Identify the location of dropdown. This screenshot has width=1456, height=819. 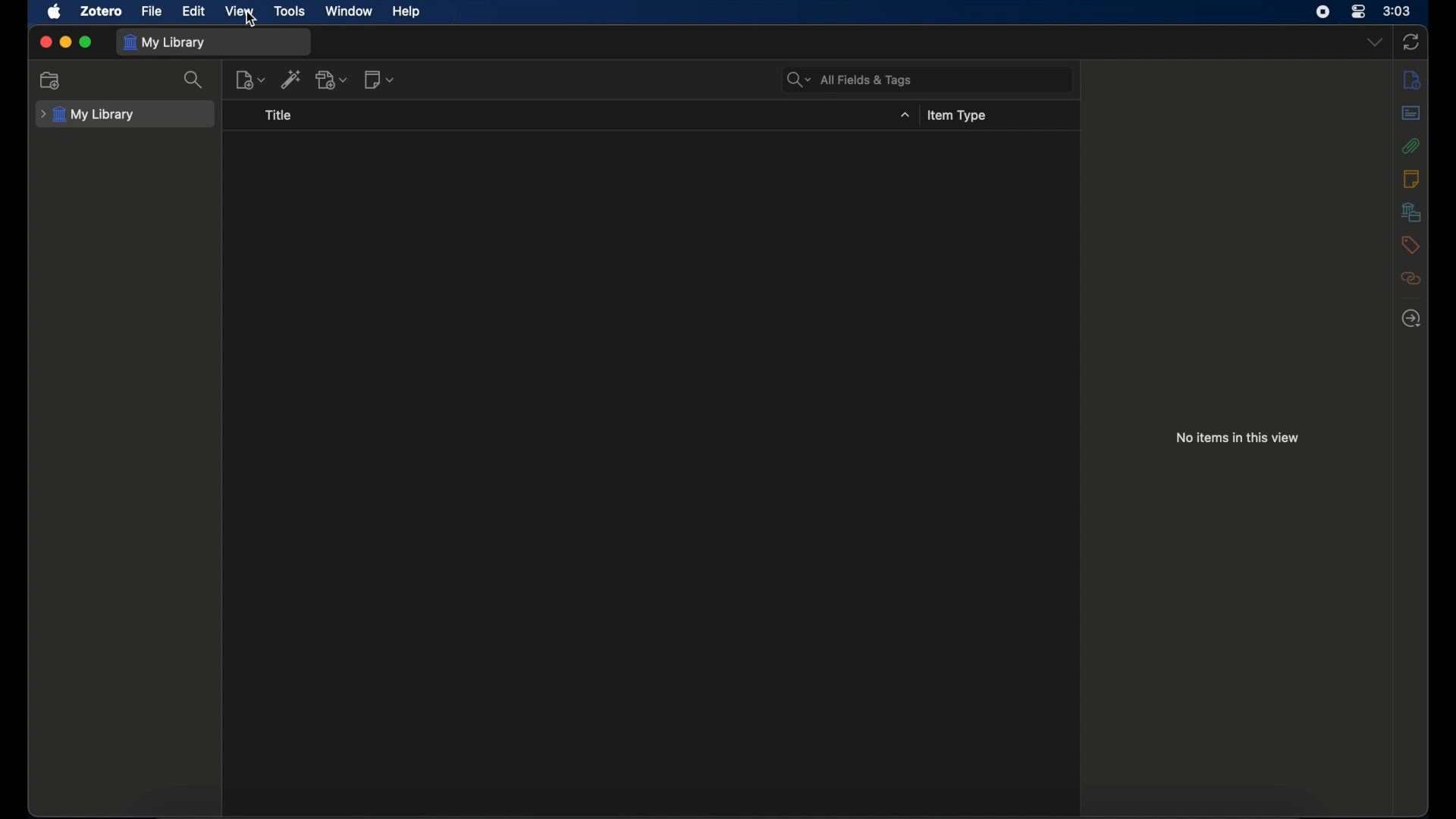
(1374, 42).